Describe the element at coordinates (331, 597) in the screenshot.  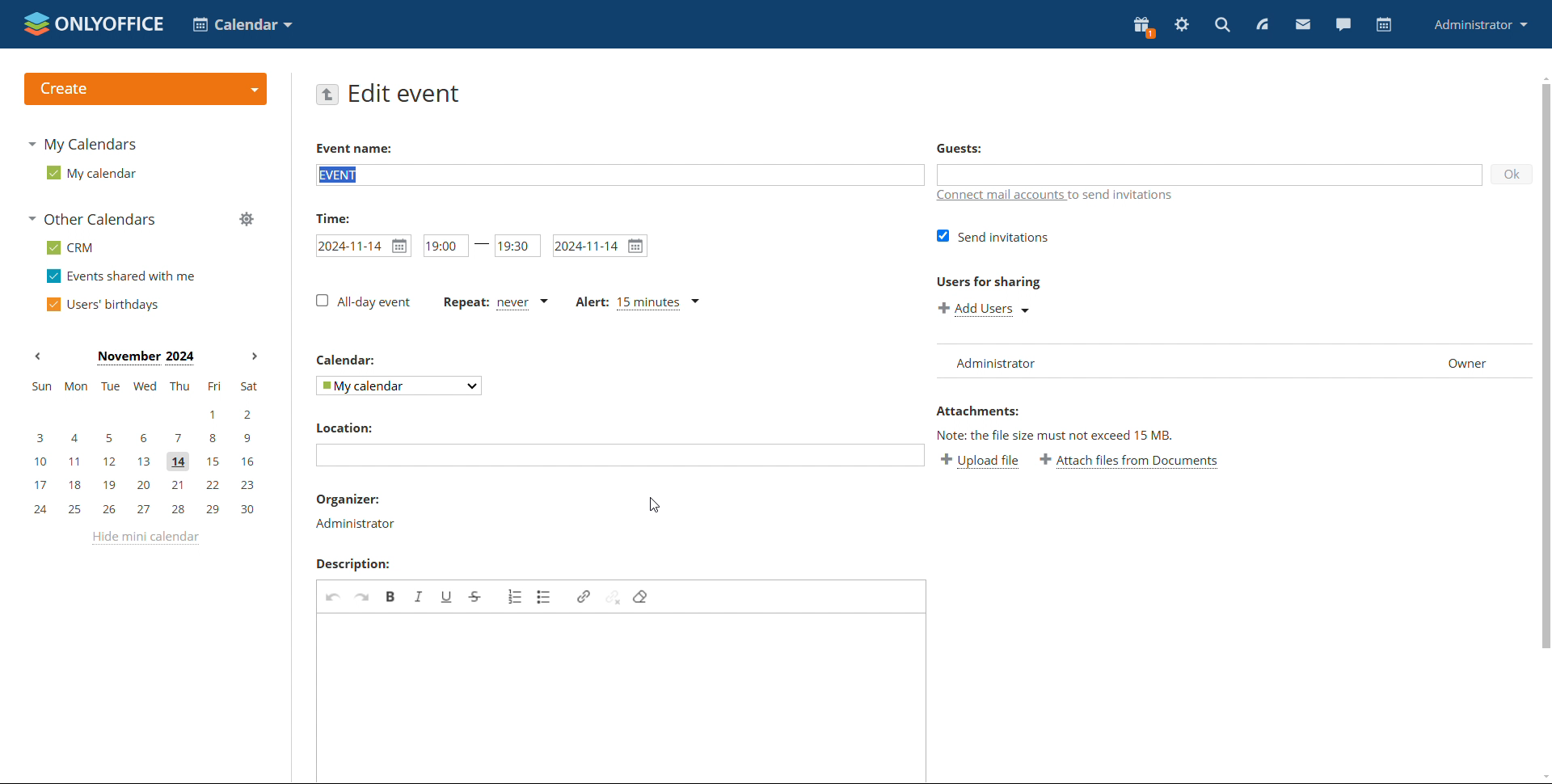
I see `undo` at that location.